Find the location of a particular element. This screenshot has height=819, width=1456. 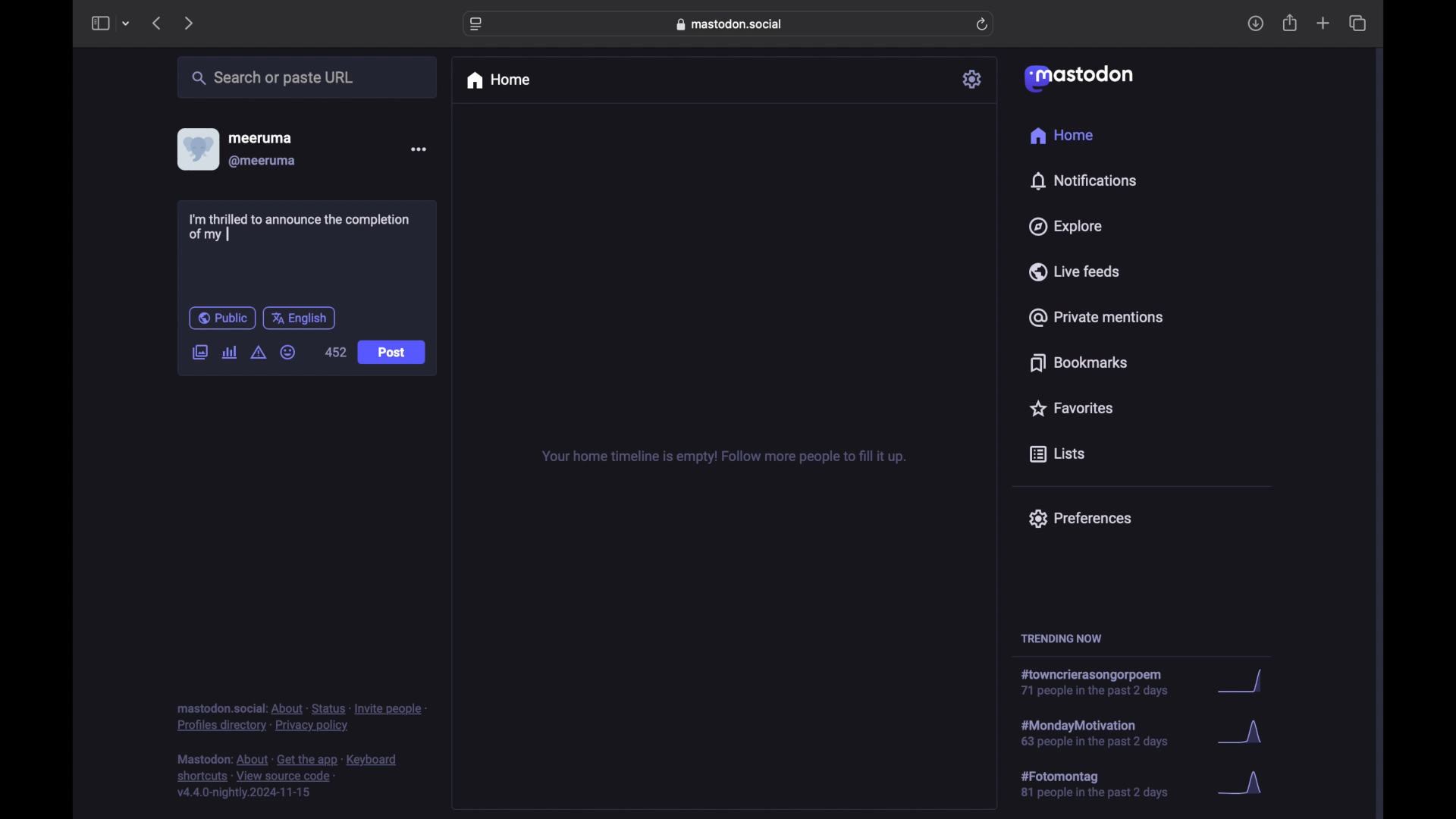

add image is located at coordinates (199, 353).